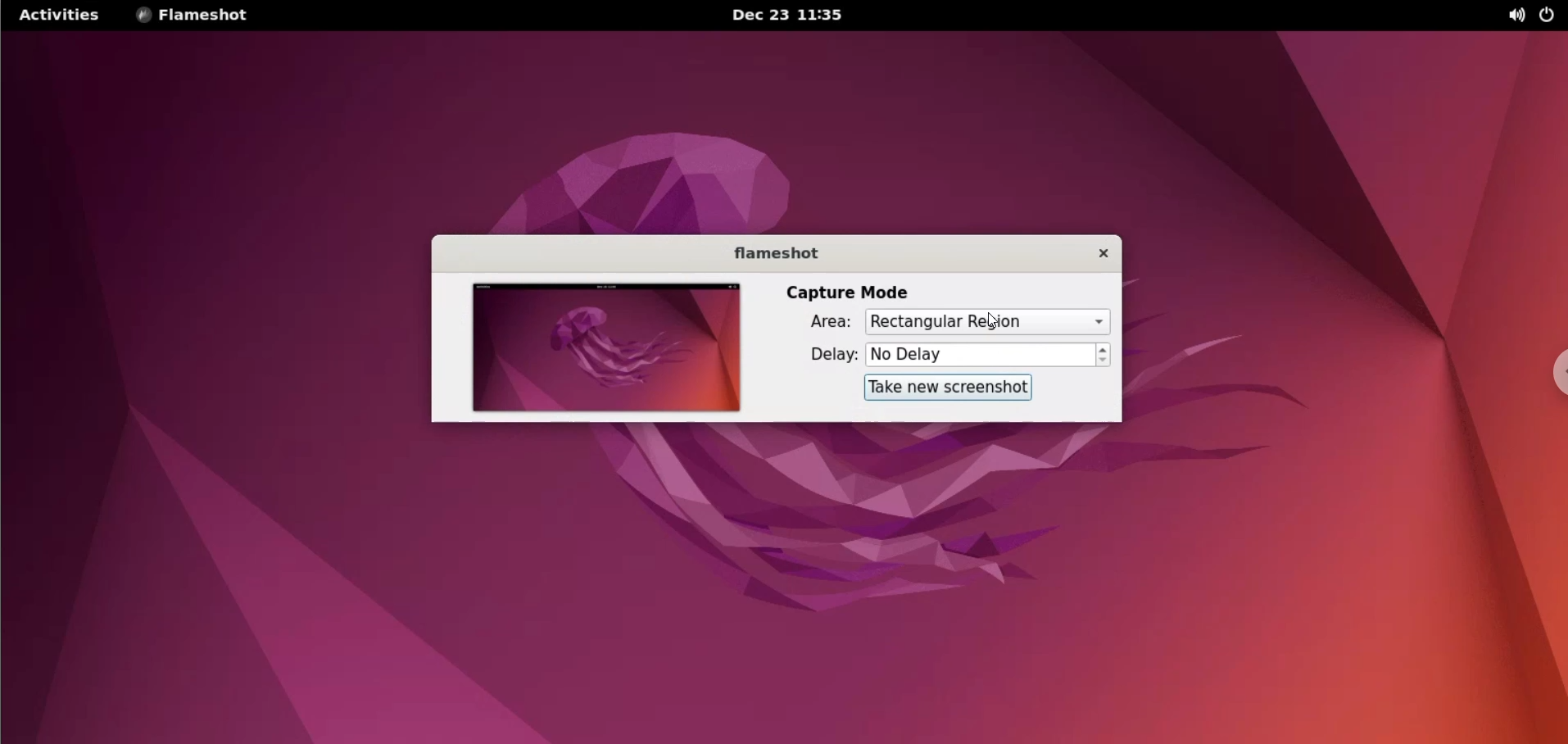 This screenshot has height=744, width=1568. I want to click on close, so click(1098, 255).